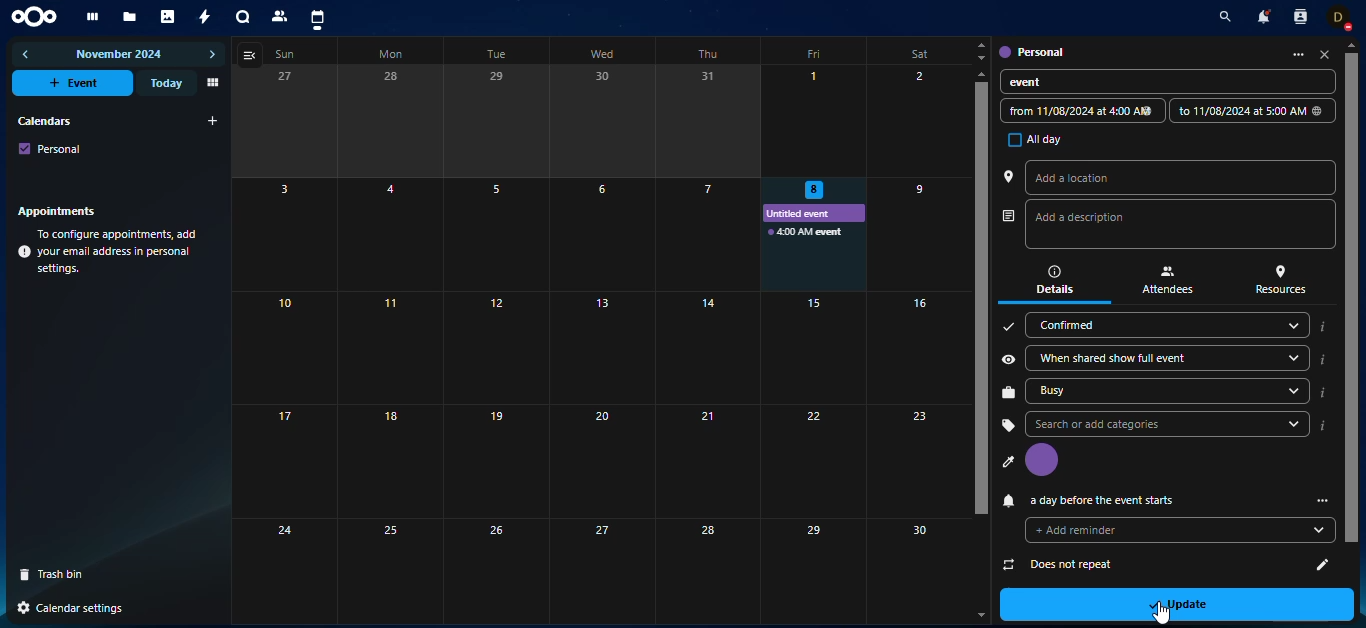 This screenshot has width=1366, height=628. Describe the element at coordinates (1050, 280) in the screenshot. I see `details` at that location.